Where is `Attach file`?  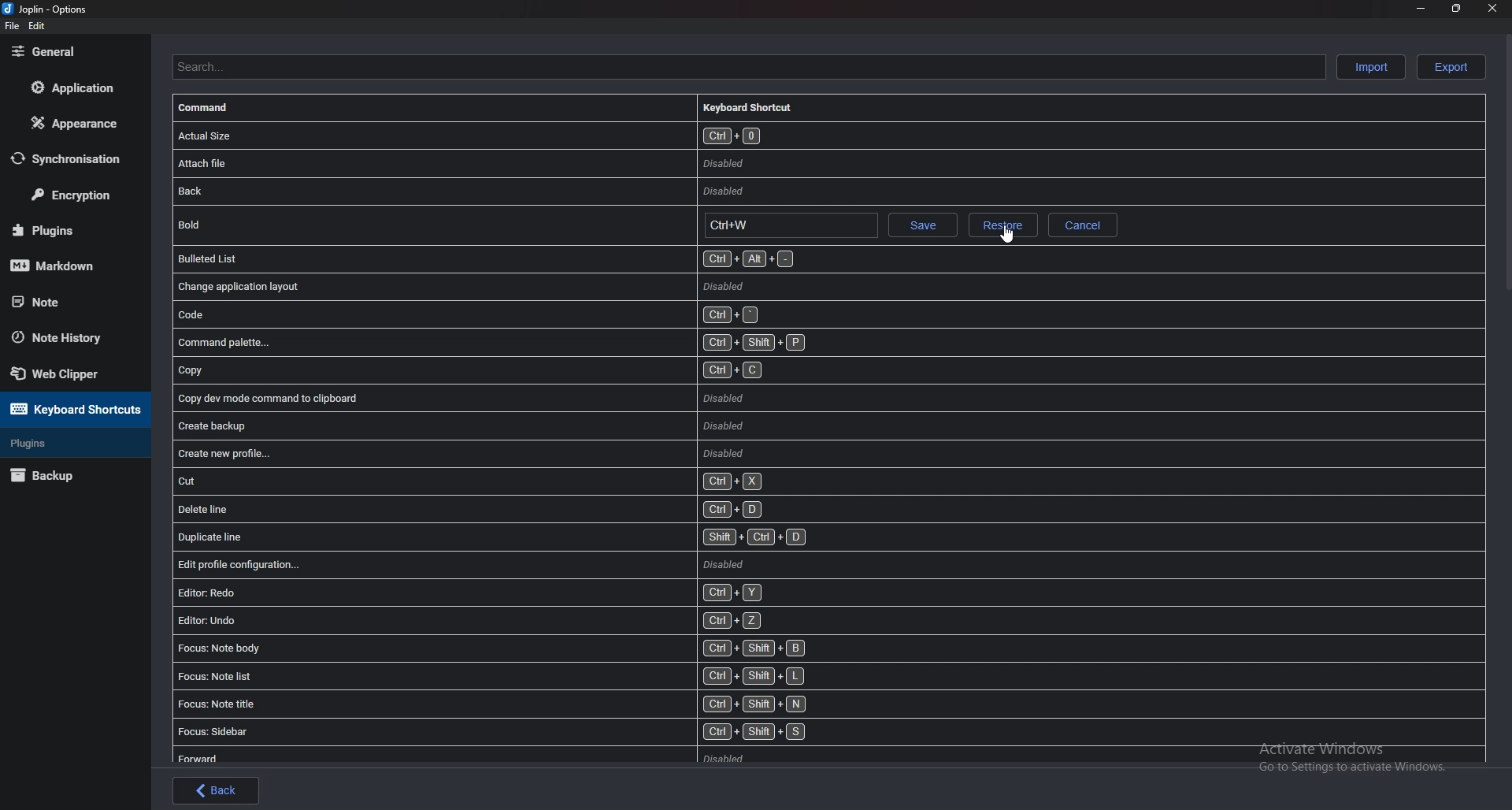
Attach file is located at coordinates (629, 163).